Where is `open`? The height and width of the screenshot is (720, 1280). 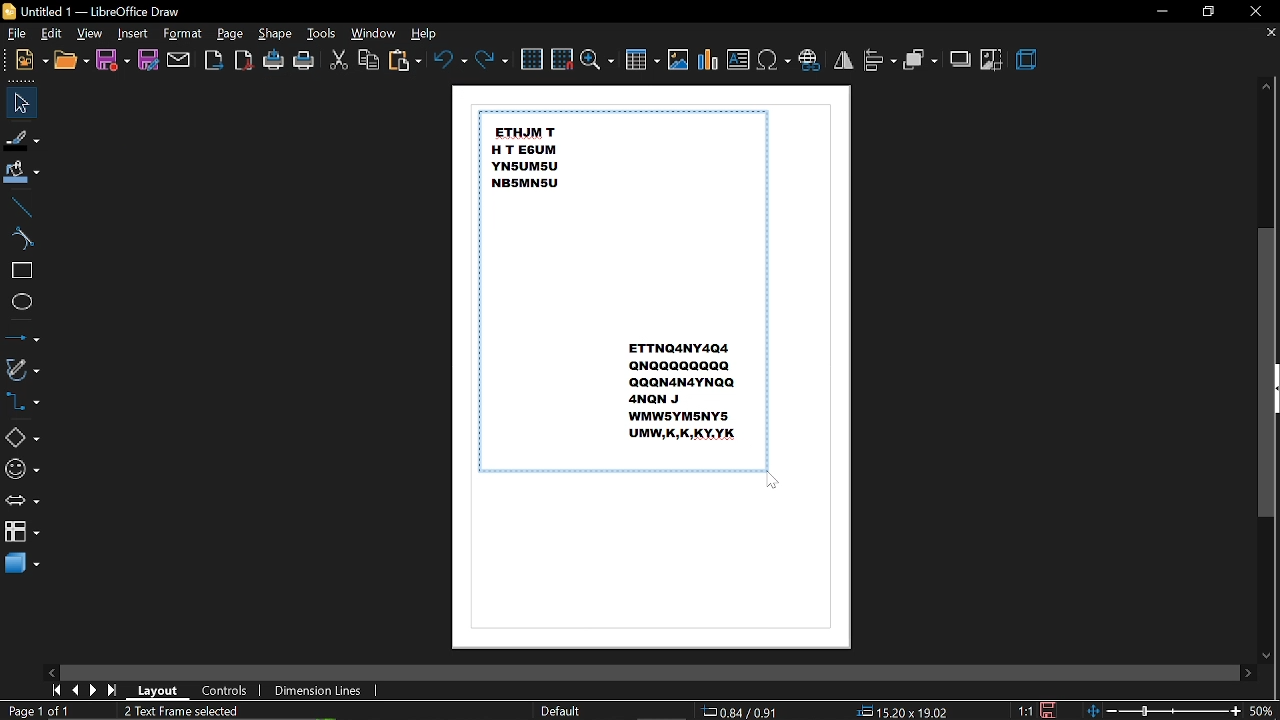
open is located at coordinates (71, 62).